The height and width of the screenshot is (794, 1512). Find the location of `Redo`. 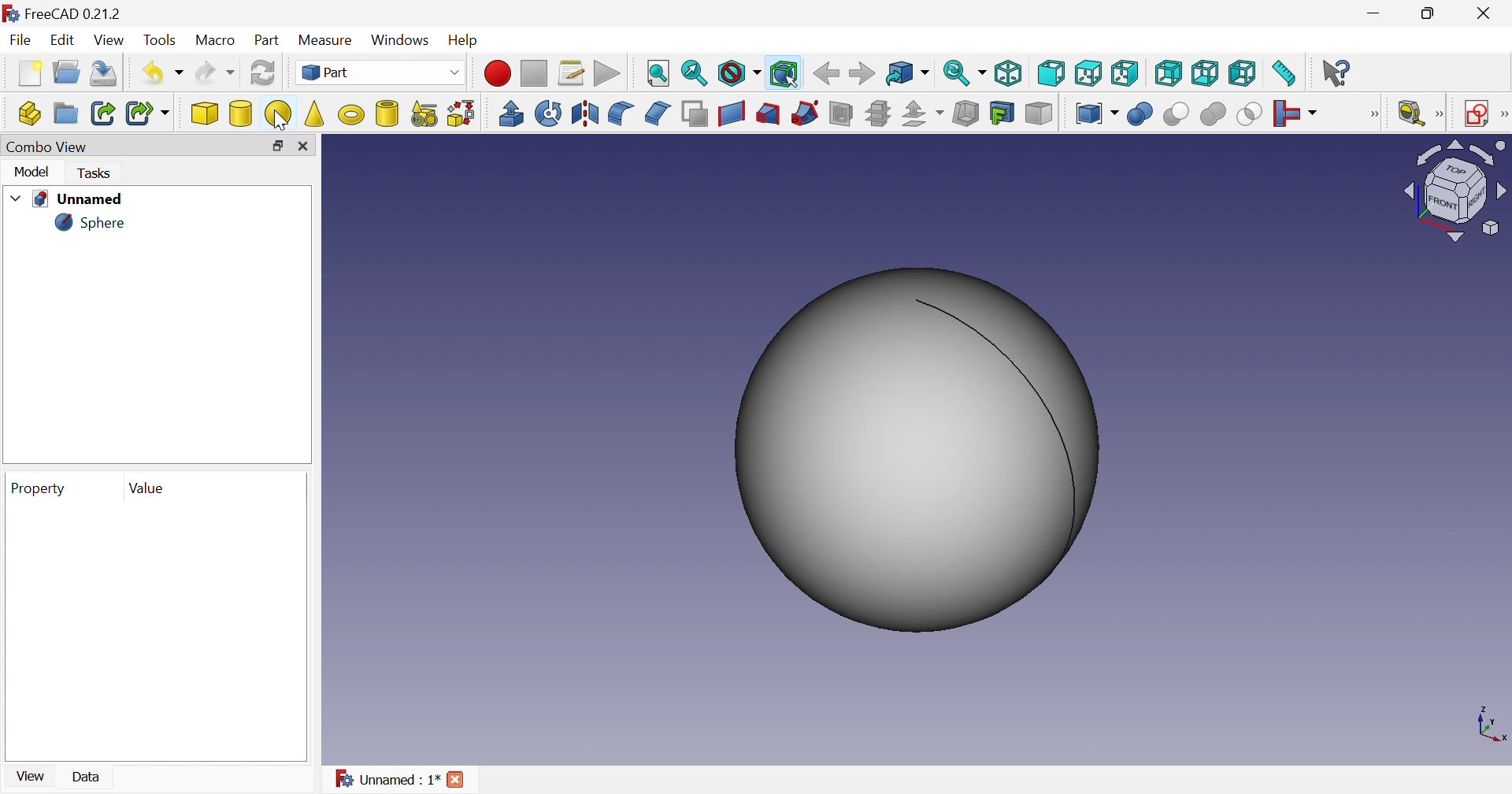

Redo is located at coordinates (215, 72).